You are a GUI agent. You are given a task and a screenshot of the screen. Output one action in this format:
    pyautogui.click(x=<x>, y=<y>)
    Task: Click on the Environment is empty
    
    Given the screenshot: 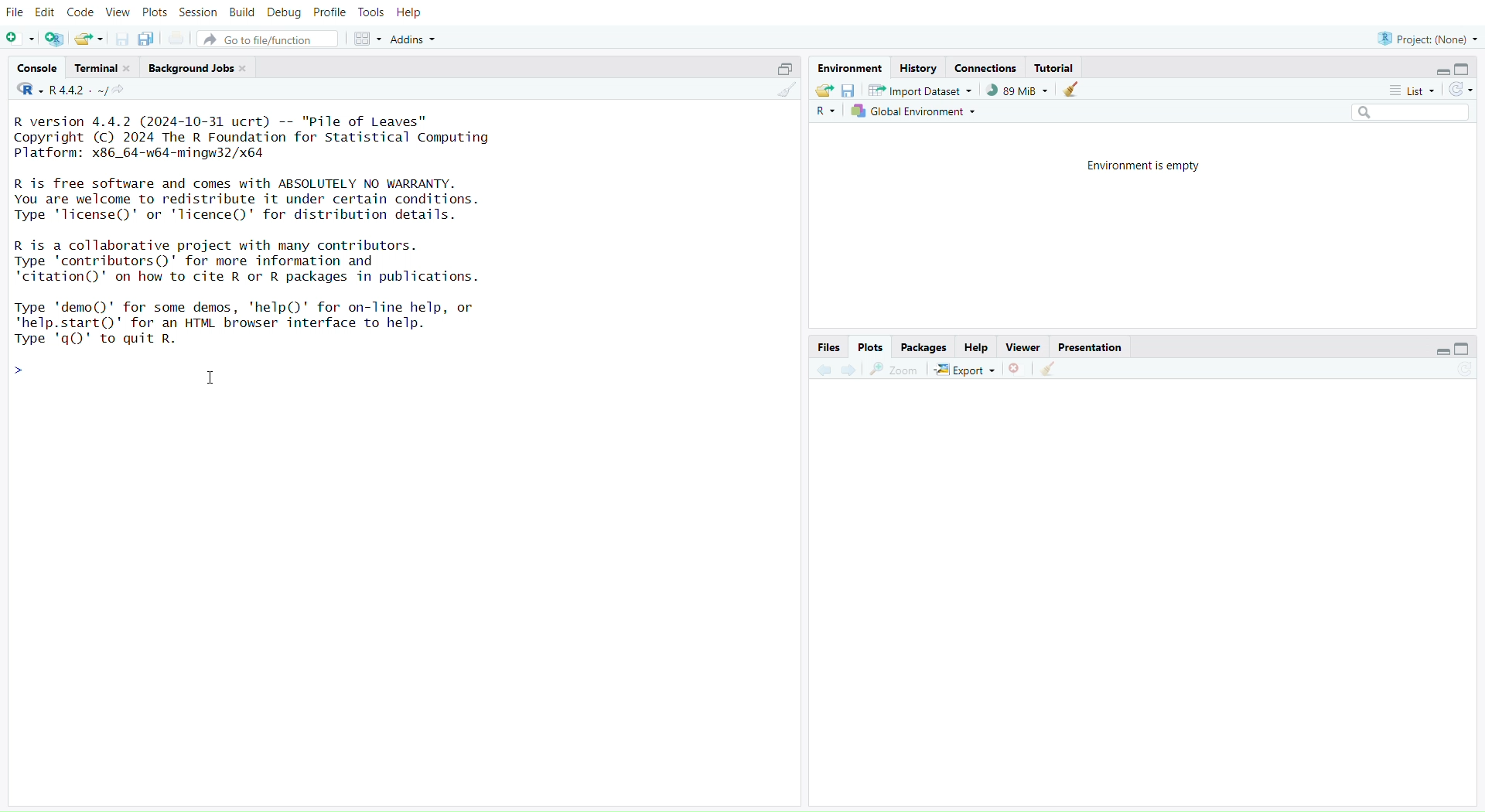 What is the action you would take?
    pyautogui.click(x=1138, y=163)
    